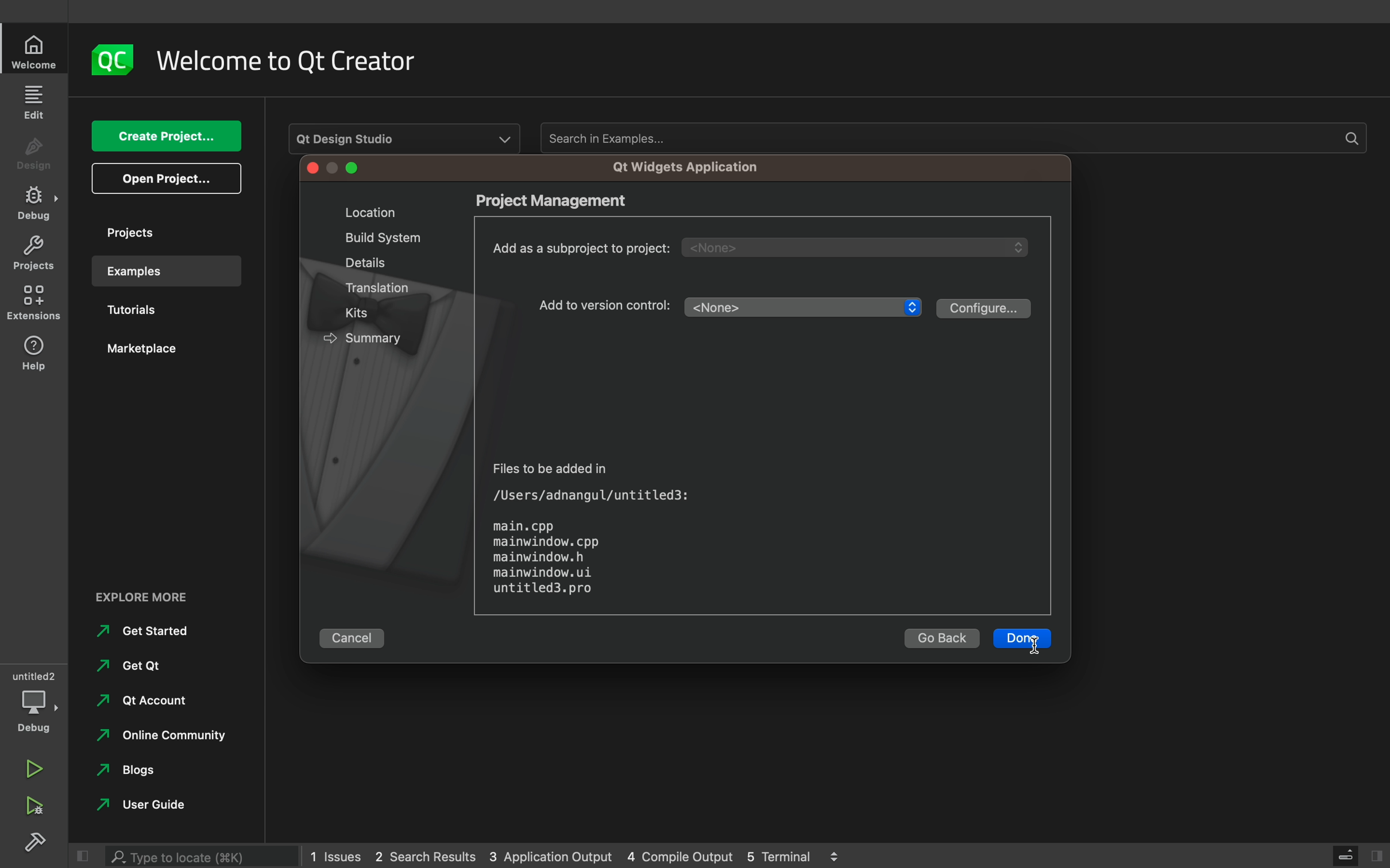 The width and height of the screenshot is (1390, 868). What do you see at coordinates (155, 312) in the screenshot?
I see `tutorials` at bounding box center [155, 312].